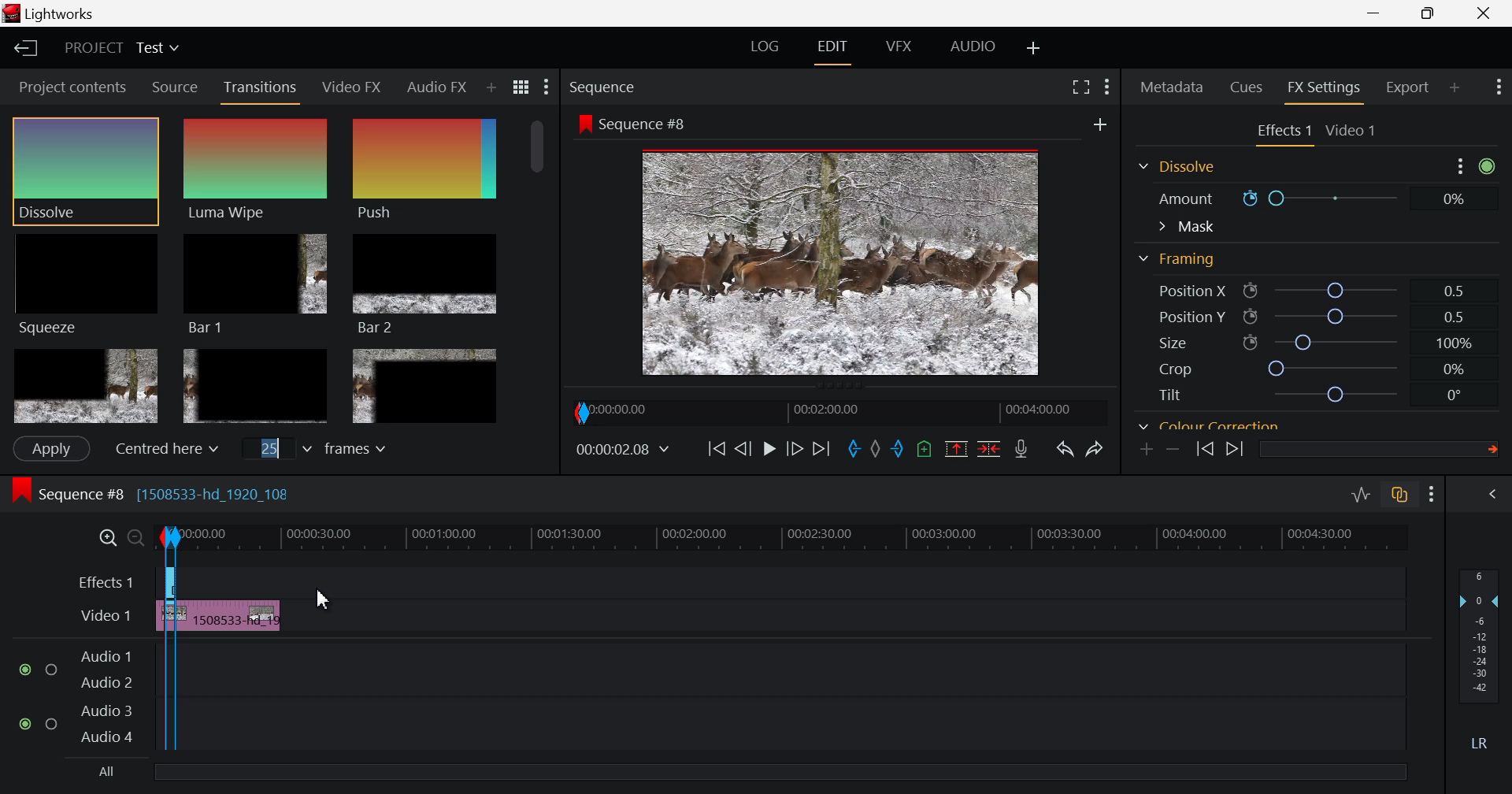 The image size is (1512, 794). I want to click on Cues tab, so click(1247, 86).